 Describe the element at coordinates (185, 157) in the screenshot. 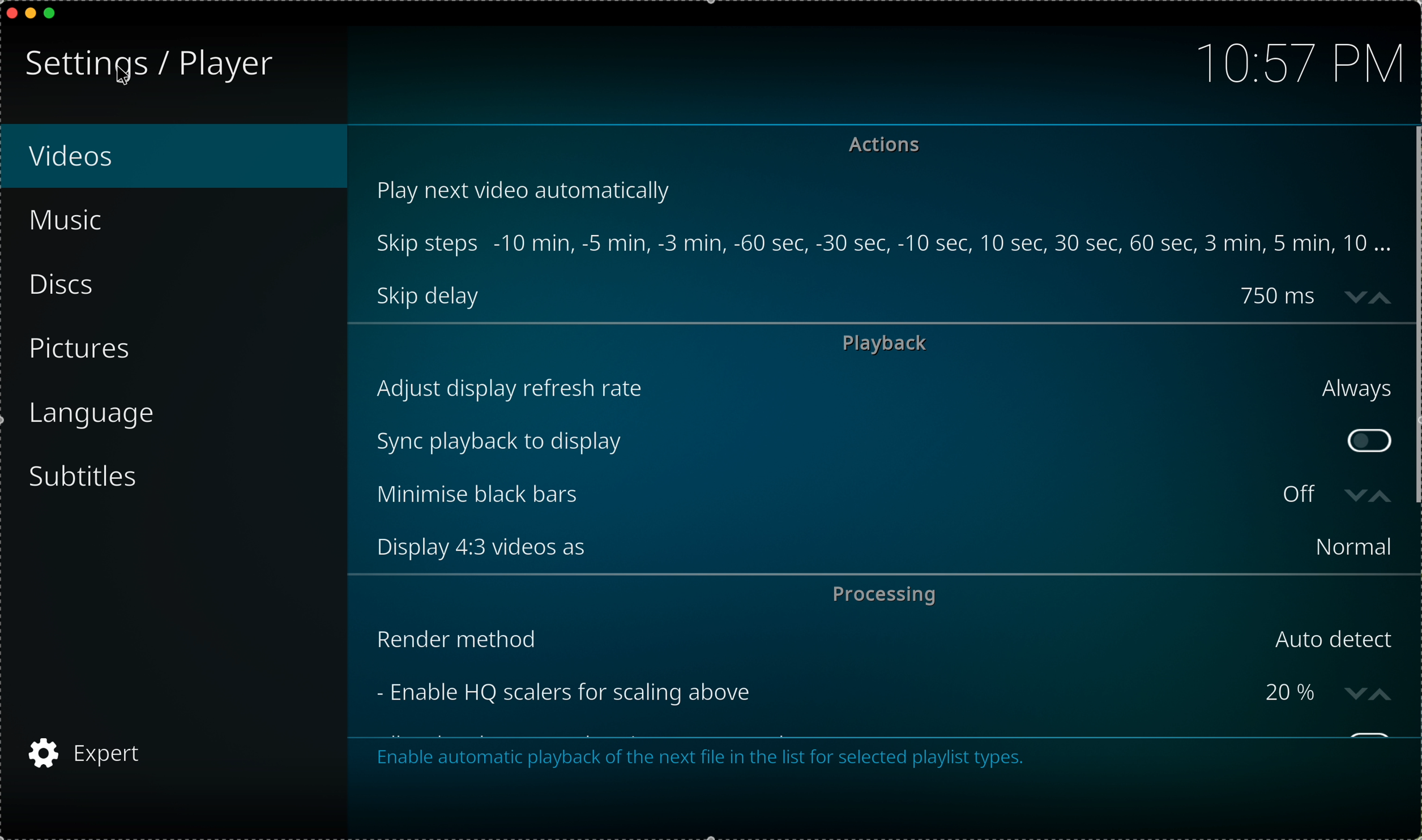

I see `videos` at that location.